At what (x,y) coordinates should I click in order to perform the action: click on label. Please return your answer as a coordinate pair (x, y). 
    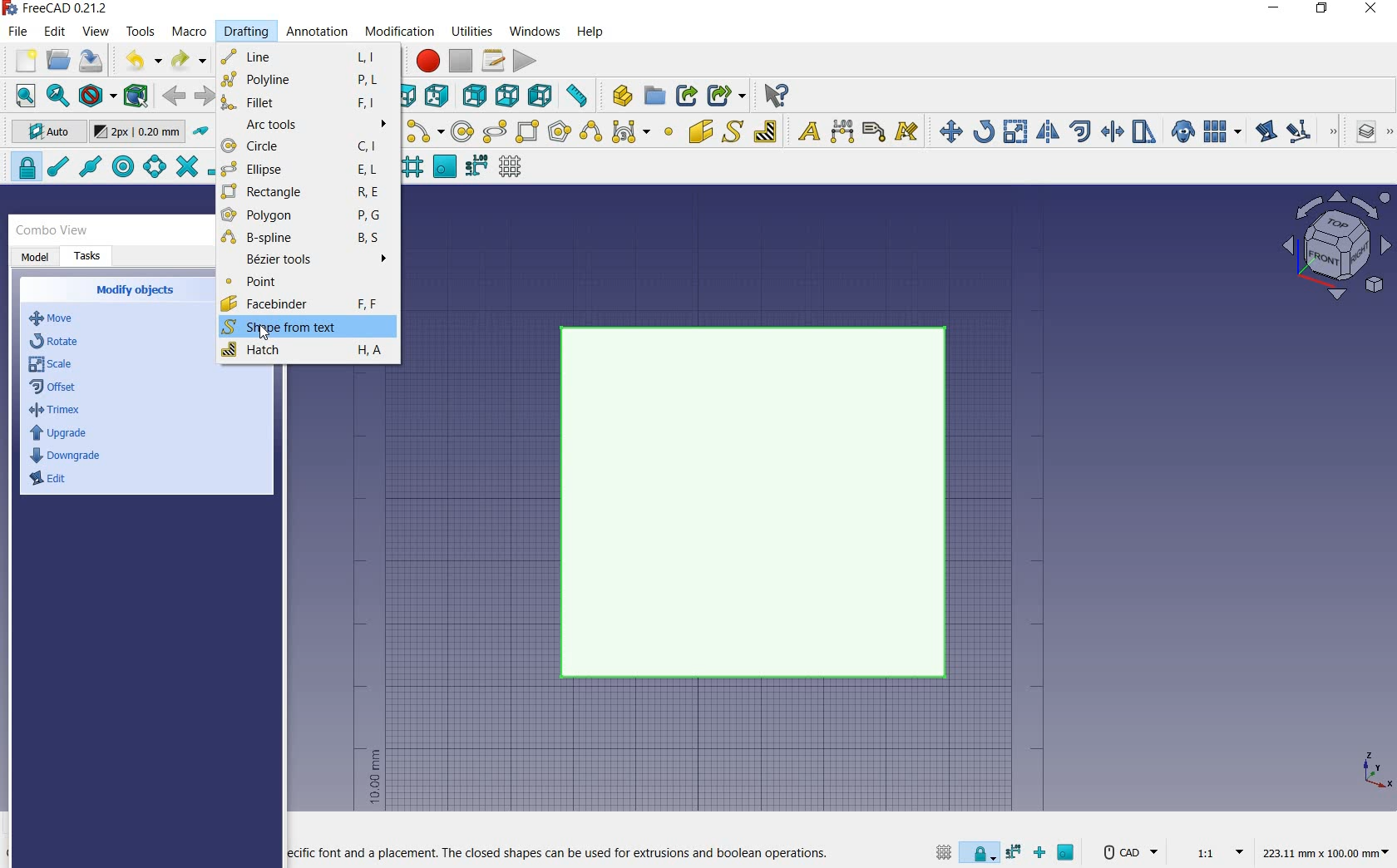
    Looking at the image, I should click on (874, 131).